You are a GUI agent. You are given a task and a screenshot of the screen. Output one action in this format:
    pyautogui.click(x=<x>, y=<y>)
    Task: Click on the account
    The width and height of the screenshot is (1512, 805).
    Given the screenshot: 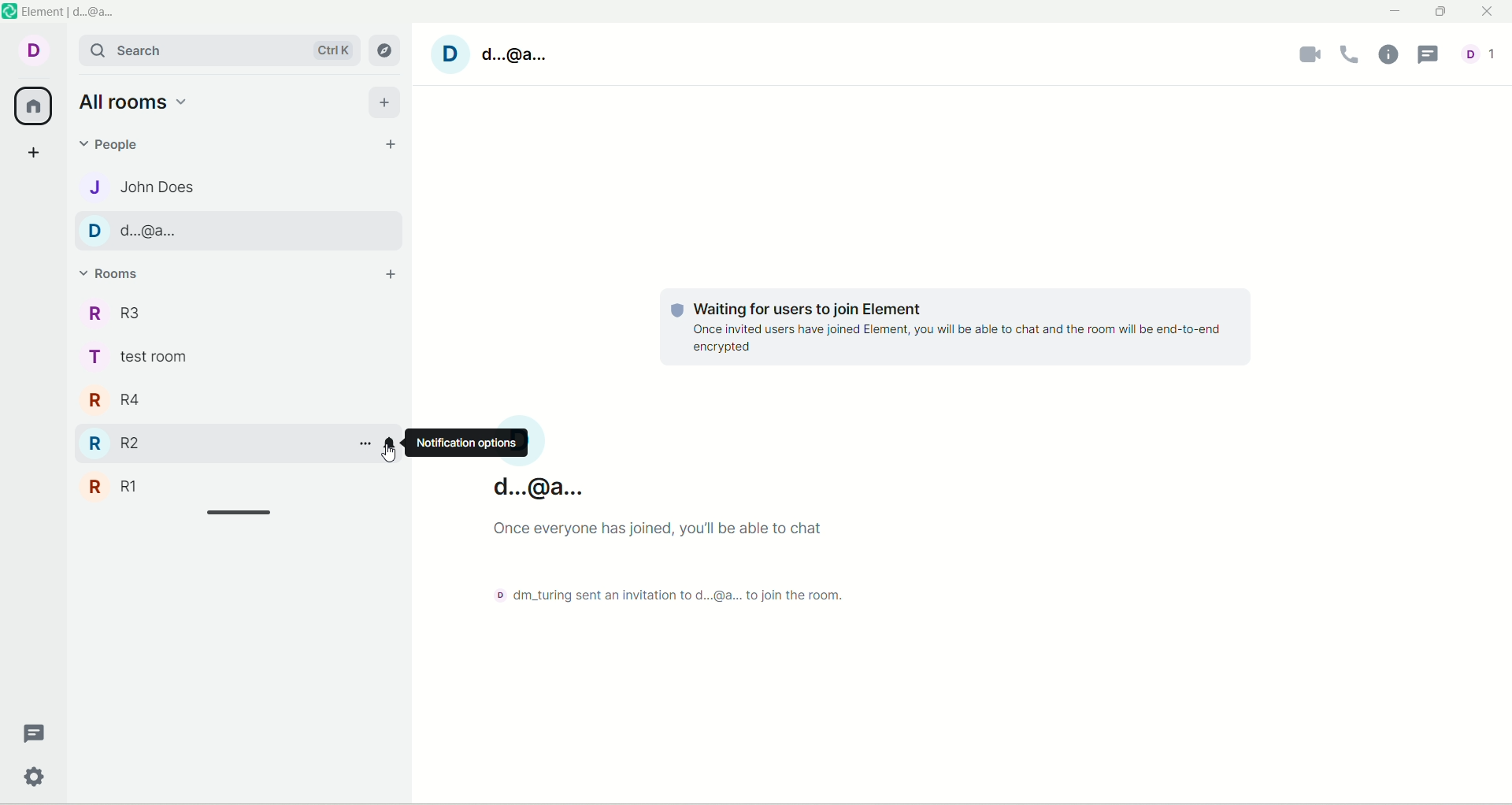 What is the action you would take?
    pyautogui.click(x=519, y=59)
    